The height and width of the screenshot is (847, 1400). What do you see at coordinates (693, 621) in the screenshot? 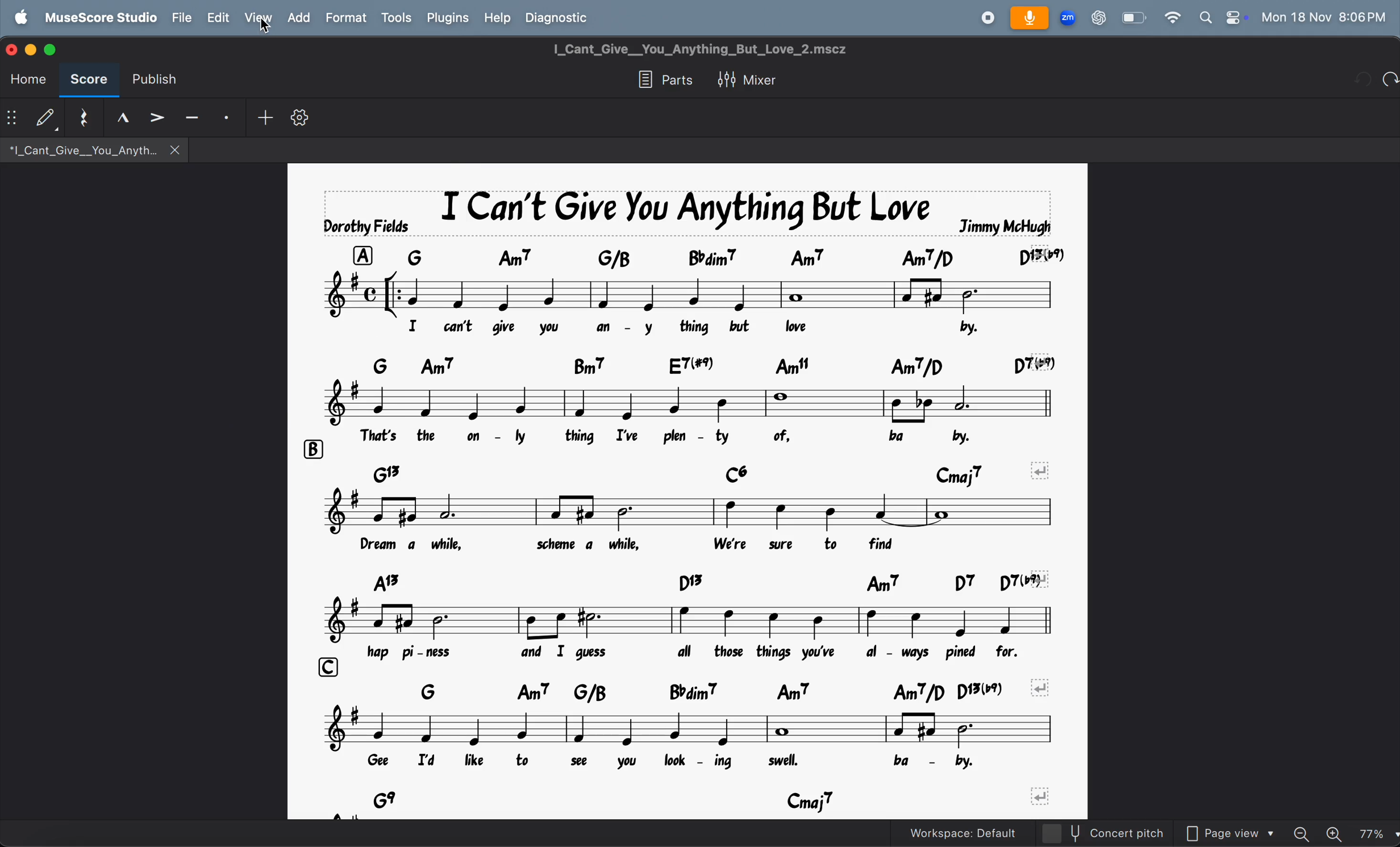
I see `notes` at bounding box center [693, 621].